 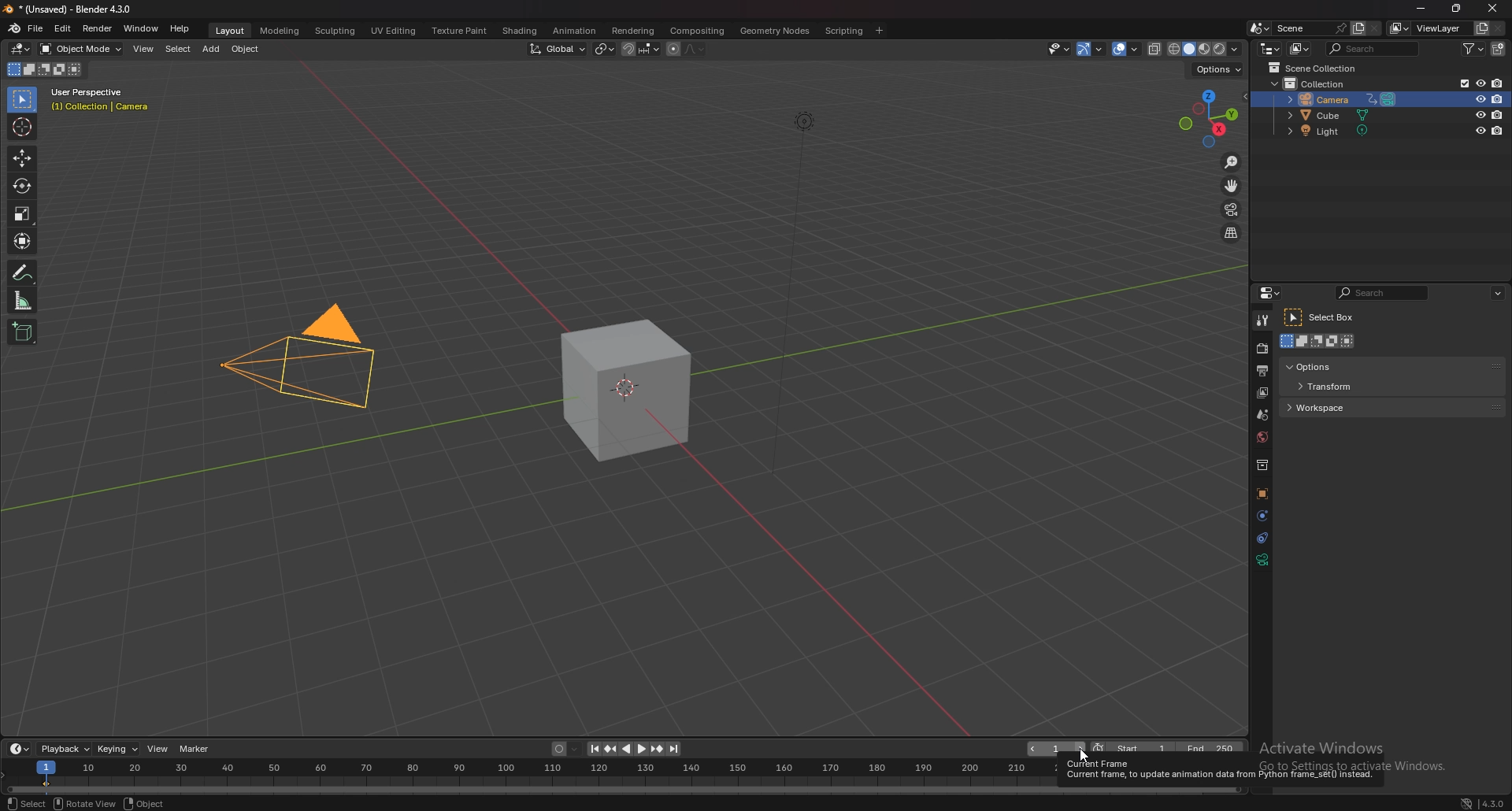 I want to click on add, so click(x=211, y=50).